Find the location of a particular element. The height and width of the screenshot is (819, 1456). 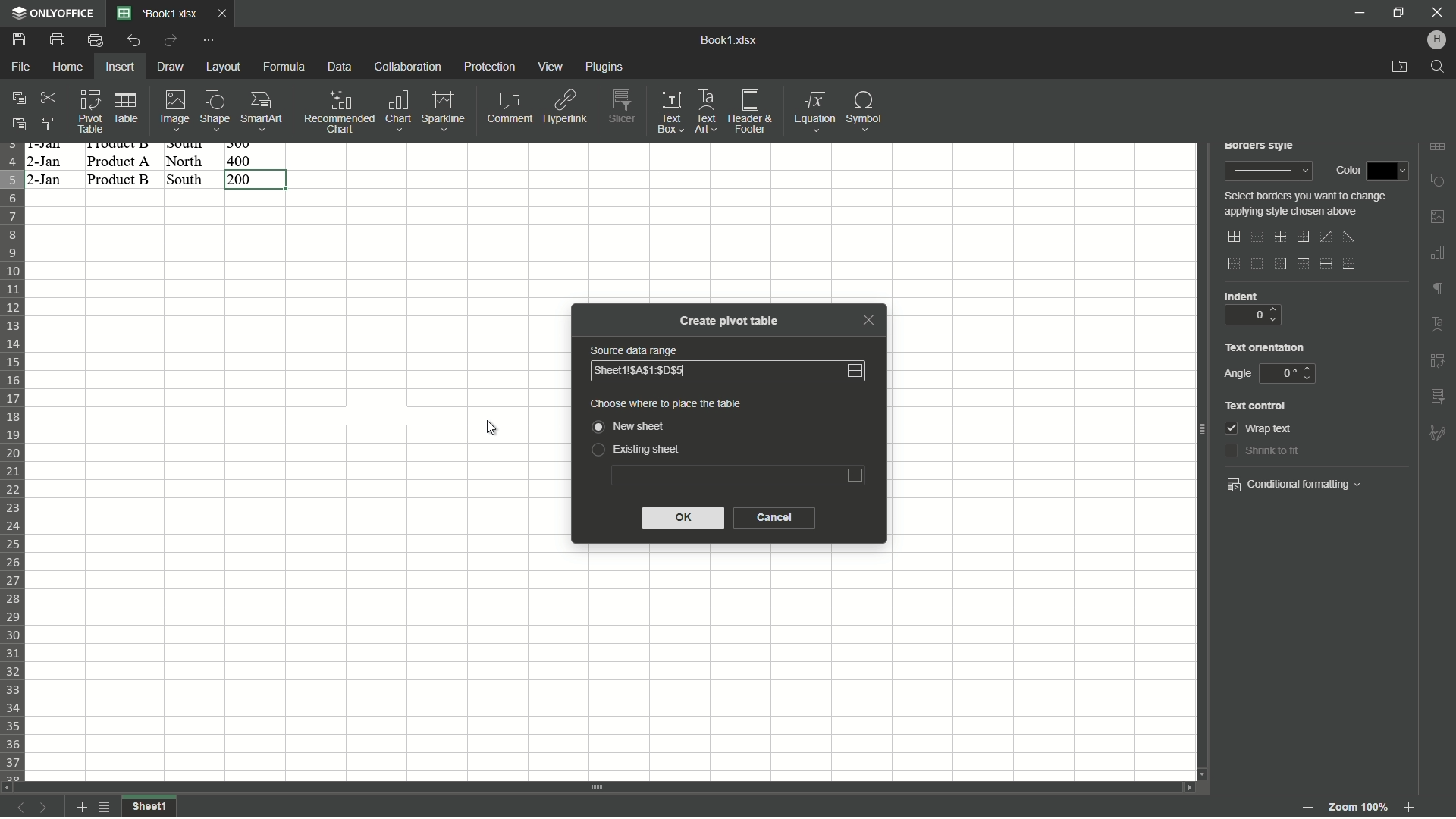

insert slicer is located at coordinates (1438, 395).